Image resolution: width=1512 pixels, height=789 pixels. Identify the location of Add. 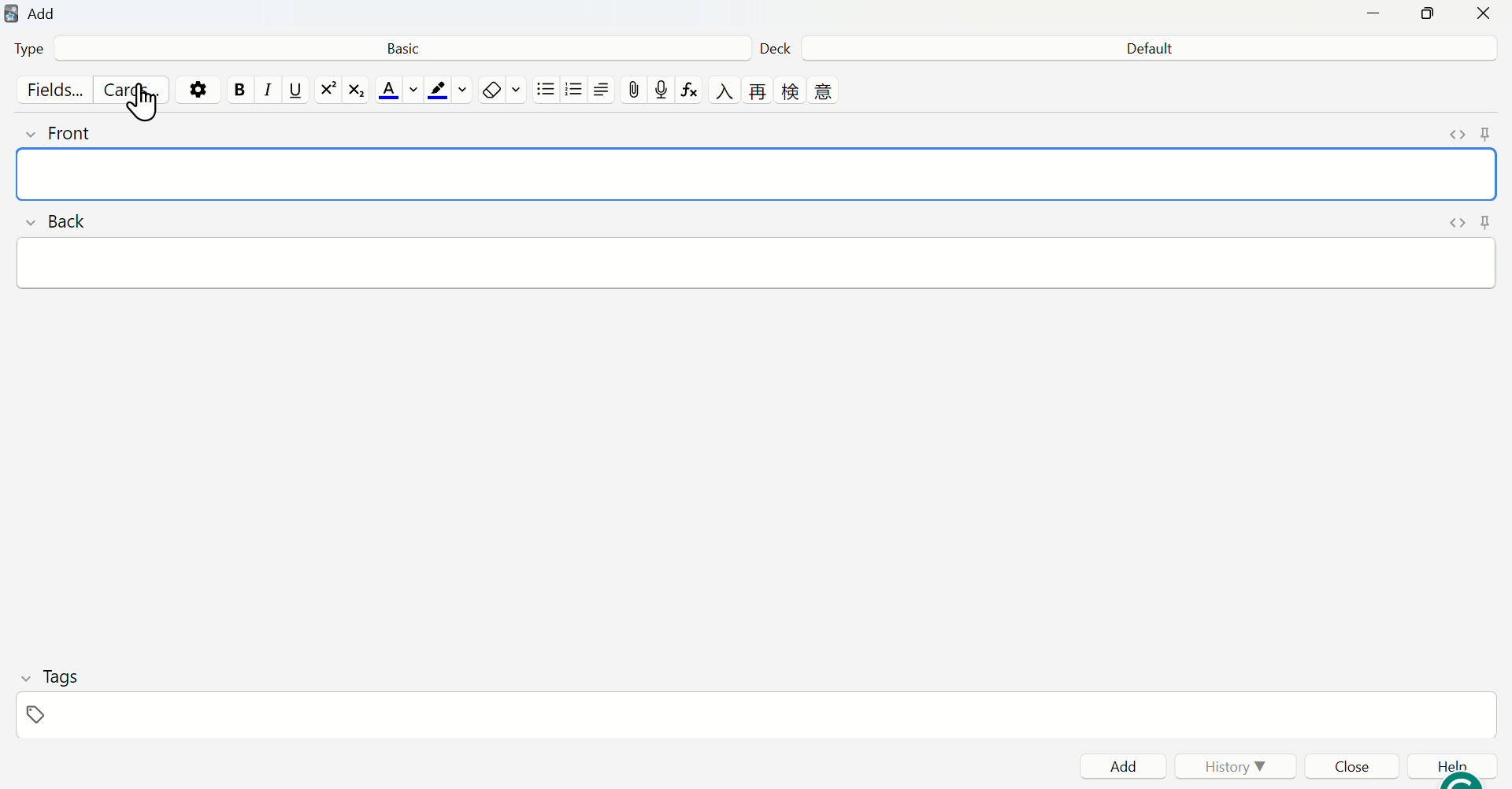
(43, 14).